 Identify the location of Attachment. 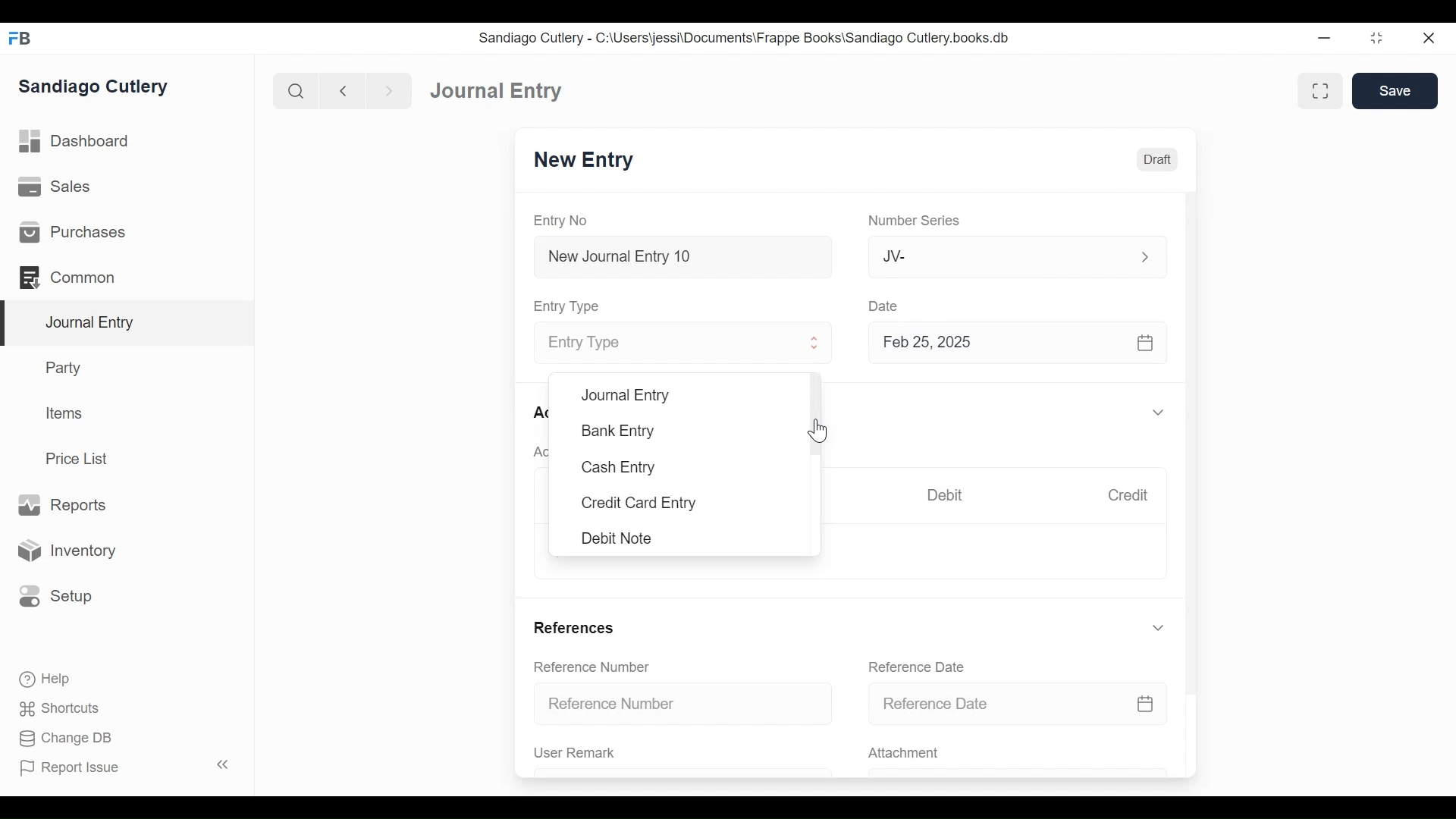
(906, 754).